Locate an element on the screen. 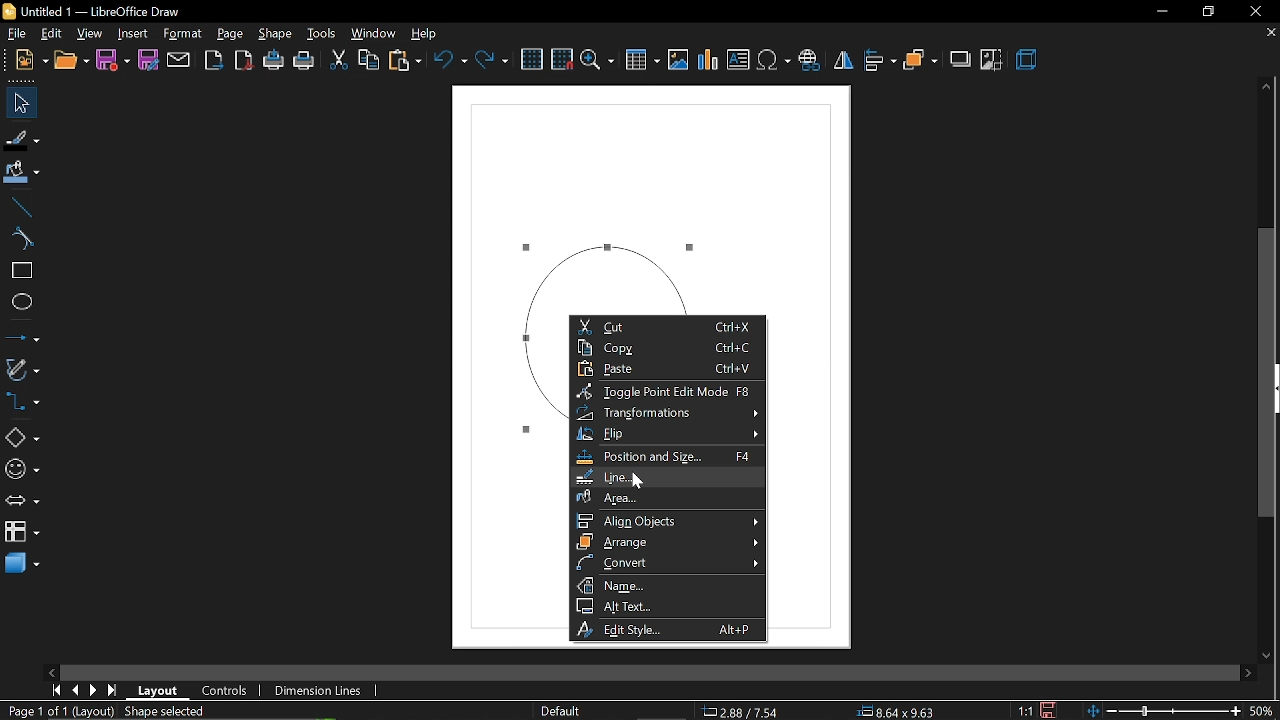 The image size is (1280, 720). 3d effects is located at coordinates (1026, 58).